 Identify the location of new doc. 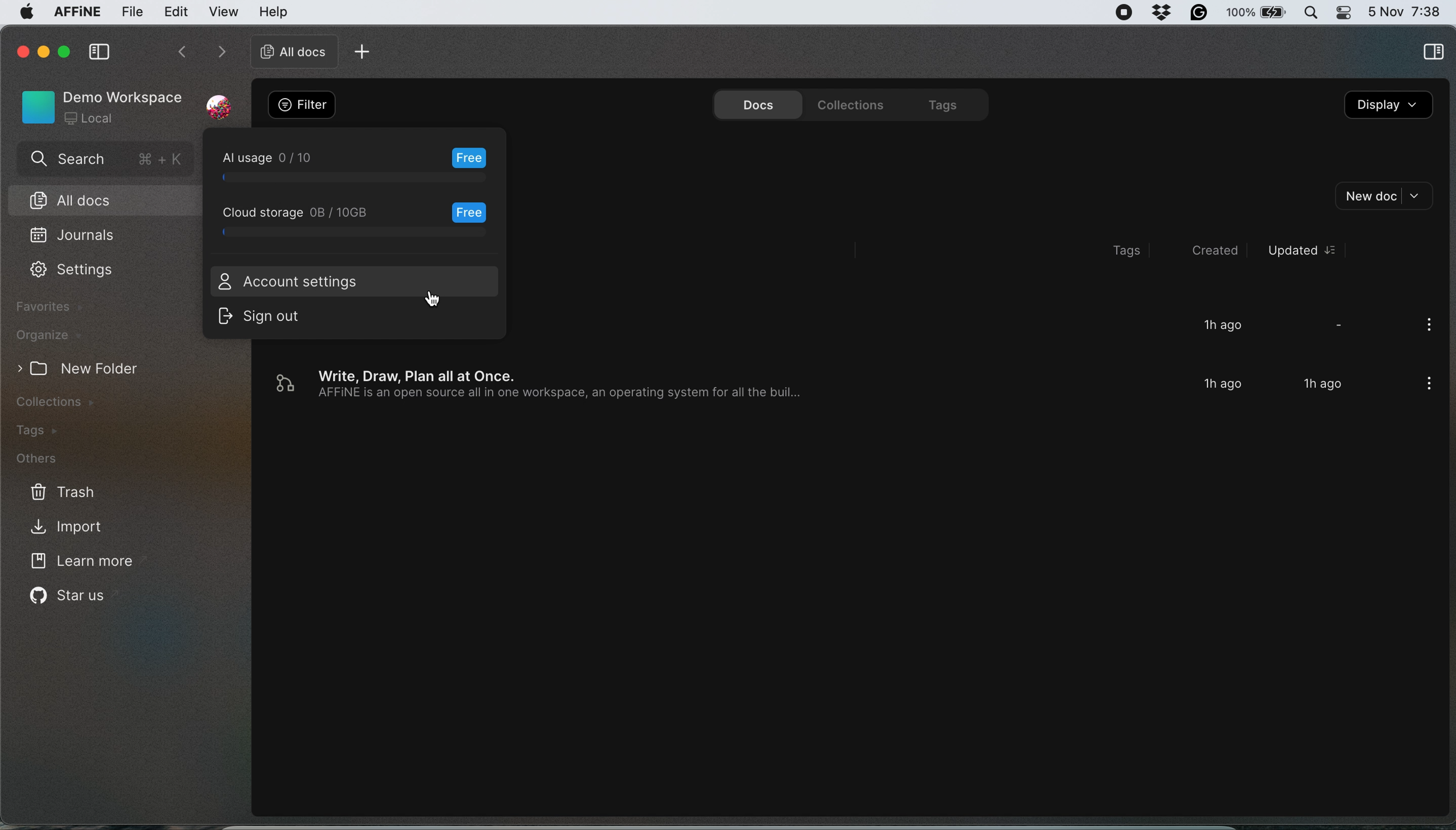
(1386, 196).